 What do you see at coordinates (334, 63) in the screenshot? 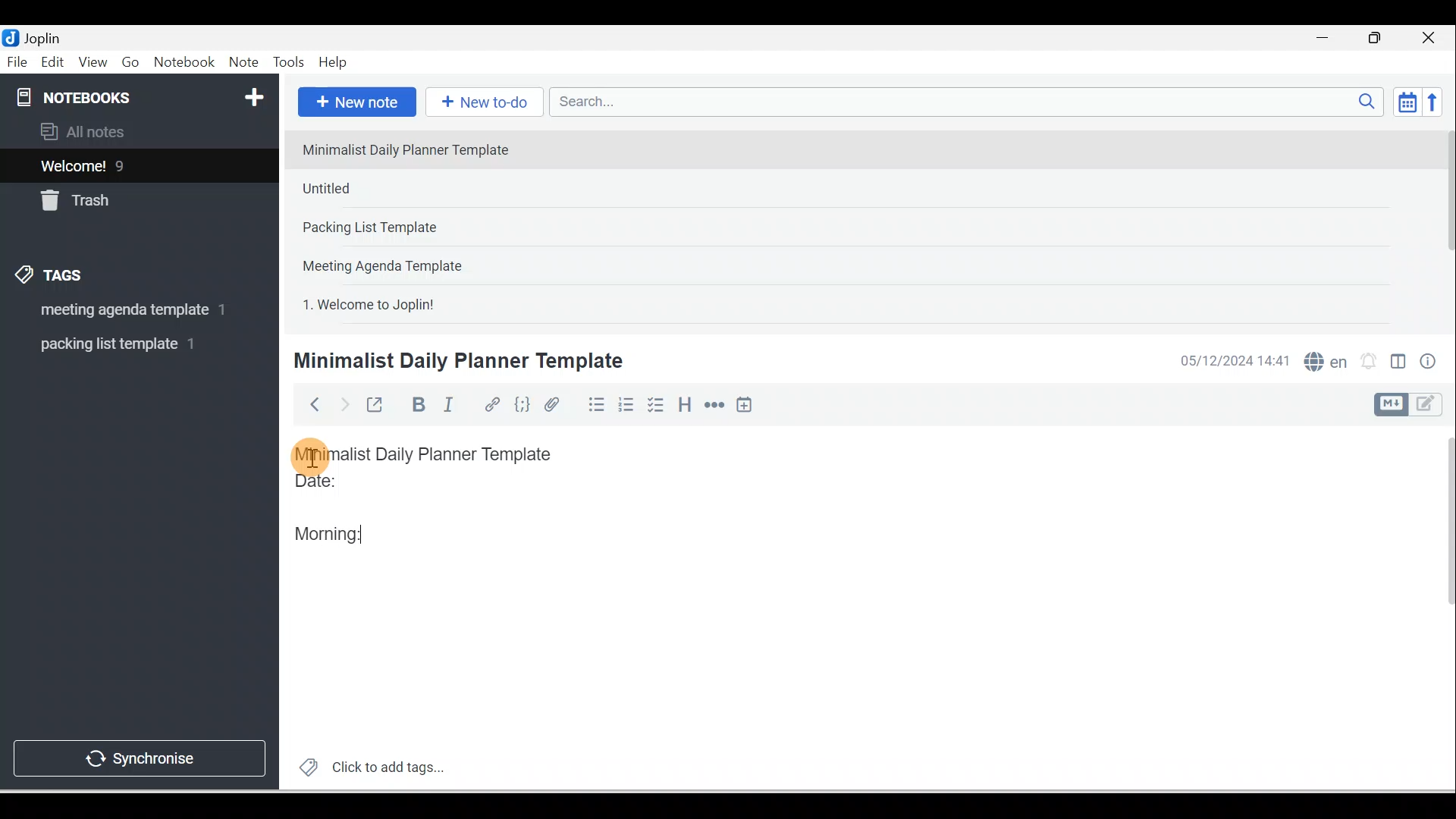
I see `Help` at bounding box center [334, 63].